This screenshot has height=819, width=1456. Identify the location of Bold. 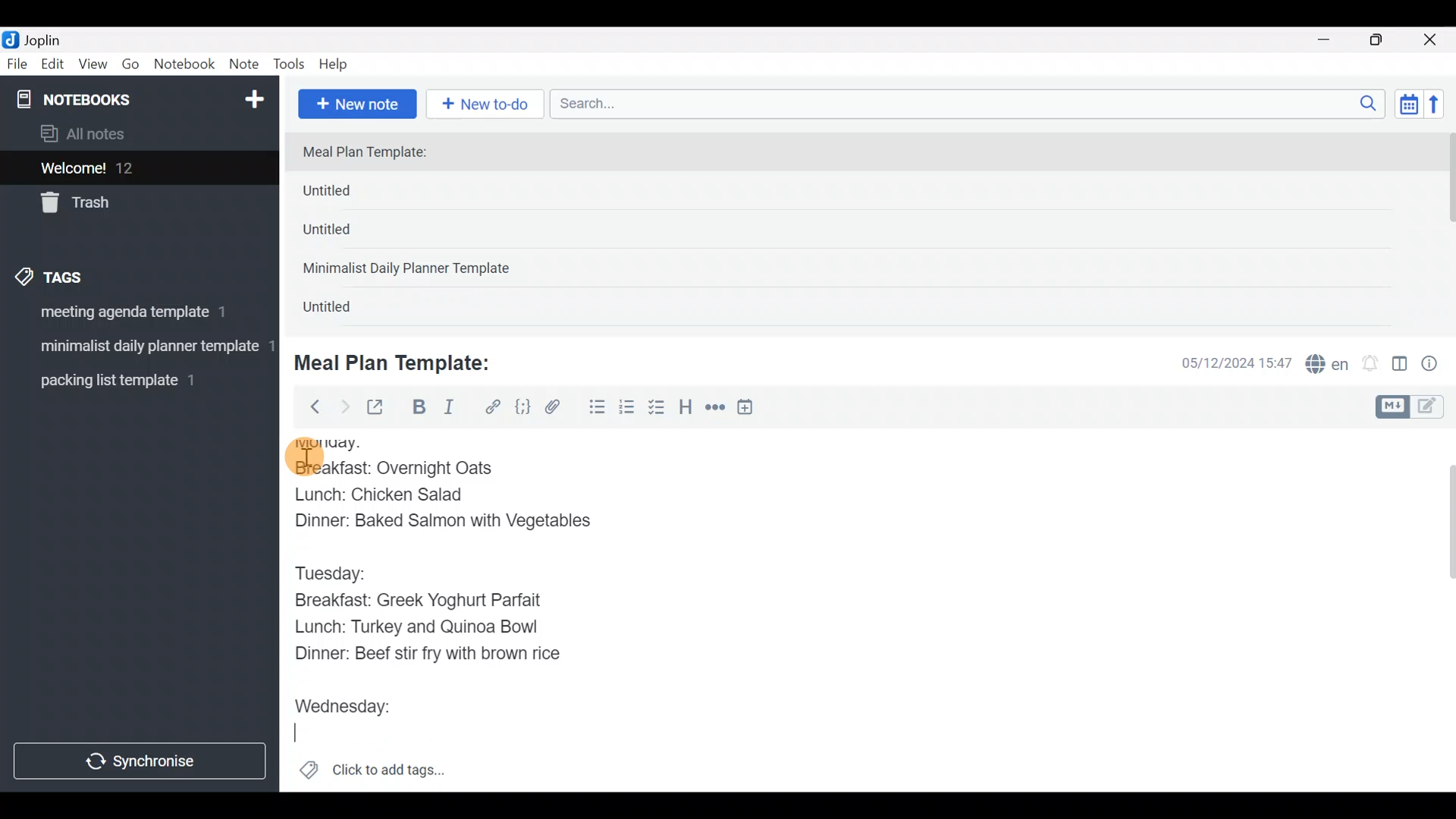
(418, 409).